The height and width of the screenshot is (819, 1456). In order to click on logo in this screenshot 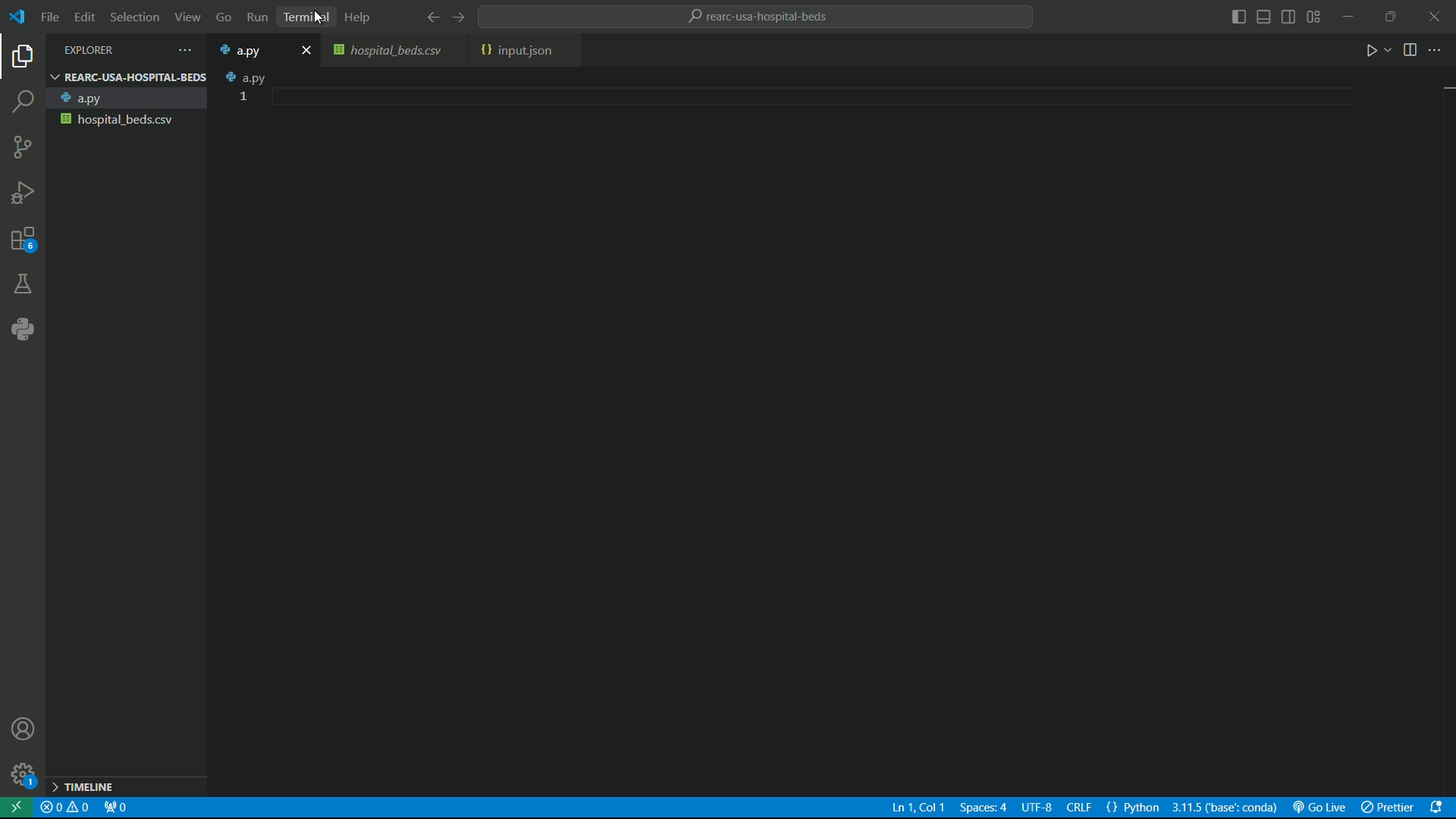, I will do `click(20, 18)`.